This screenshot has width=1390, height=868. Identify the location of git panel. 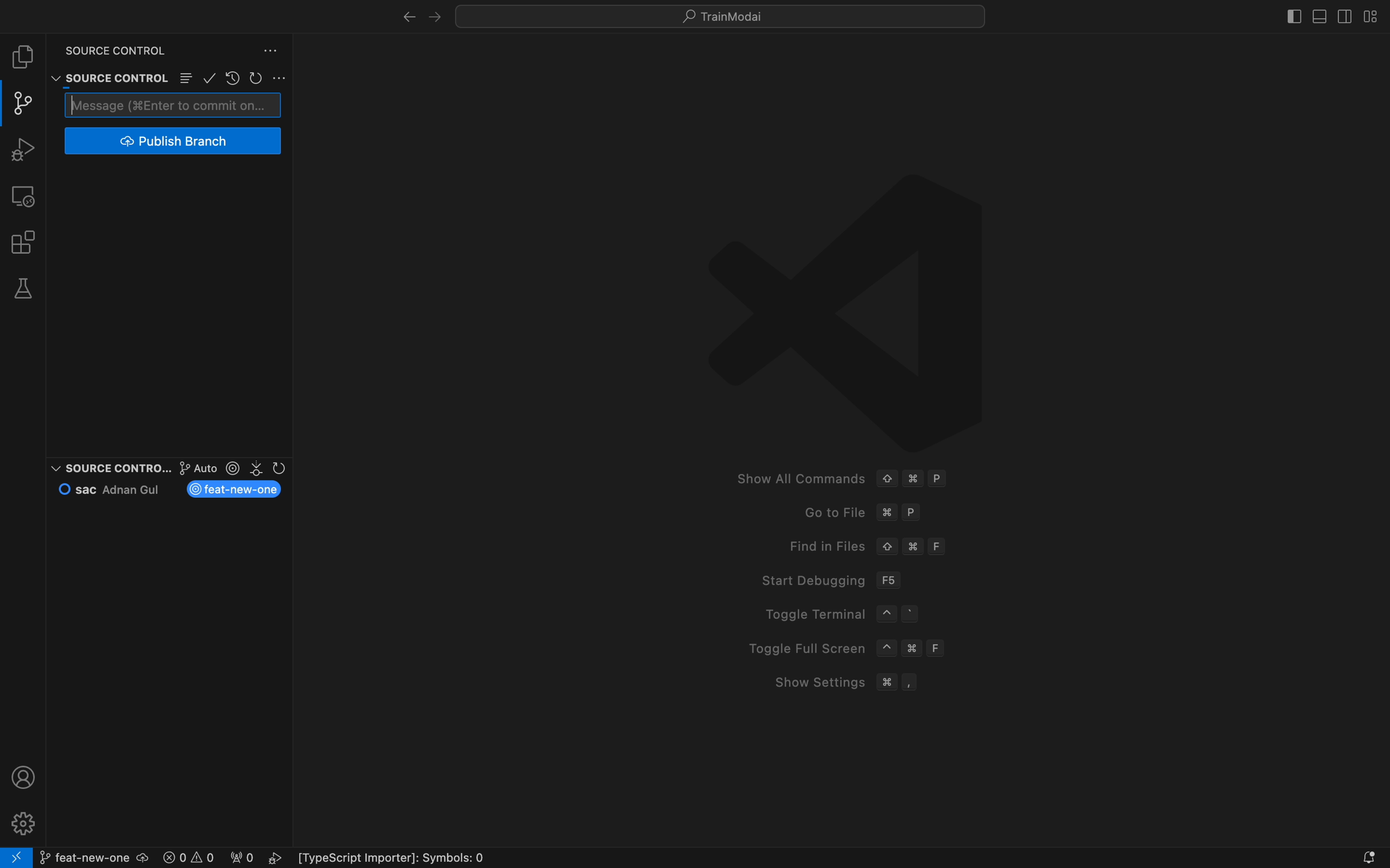
(23, 103).